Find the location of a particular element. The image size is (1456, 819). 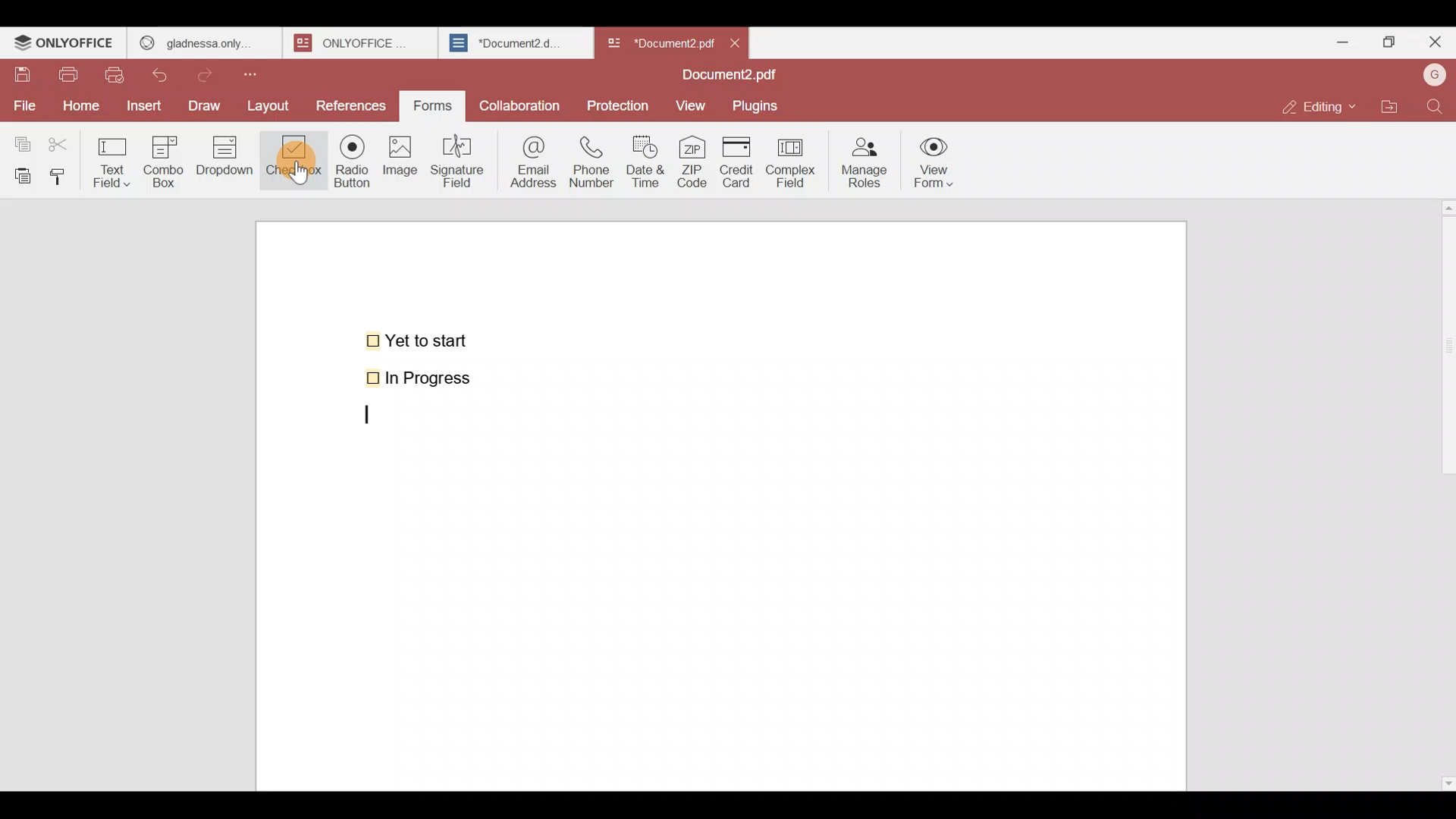

Image is located at coordinates (402, 167).